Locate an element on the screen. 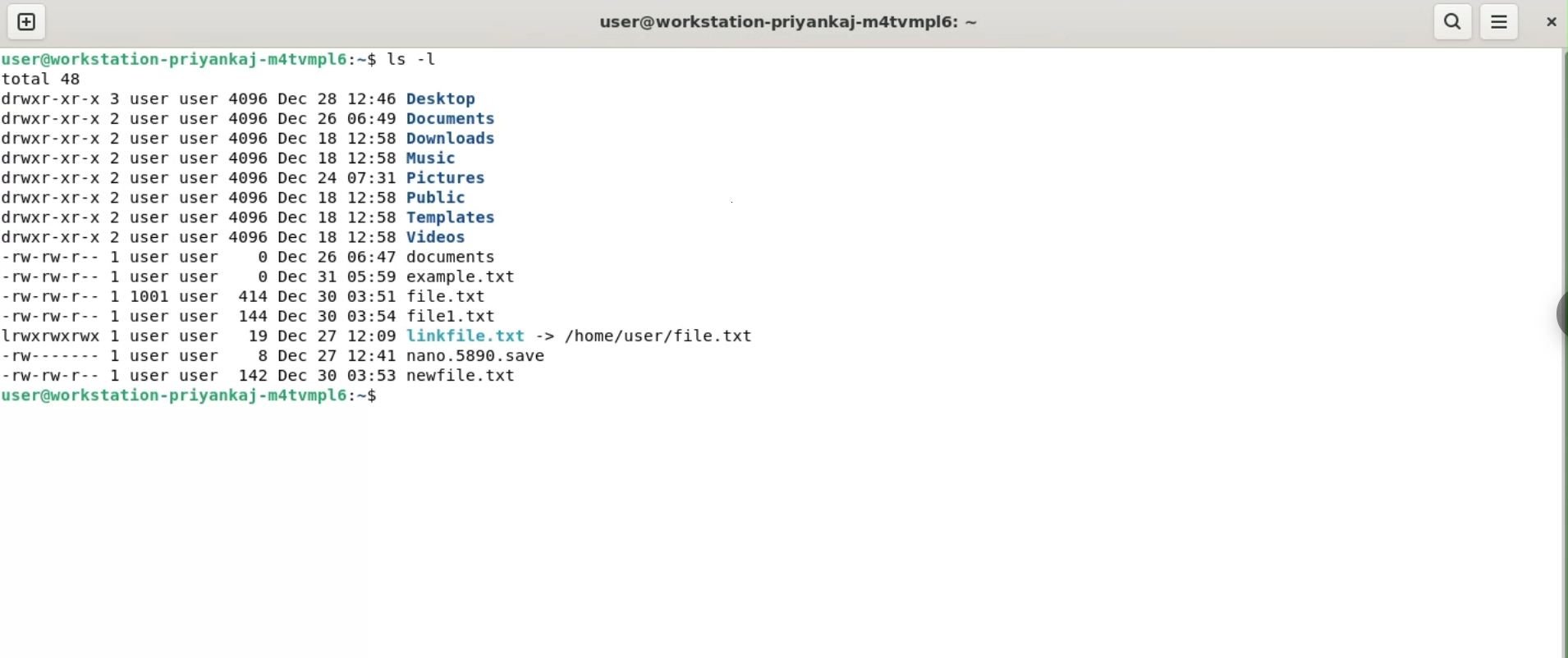  new tab is located at coordinates (25, 22).